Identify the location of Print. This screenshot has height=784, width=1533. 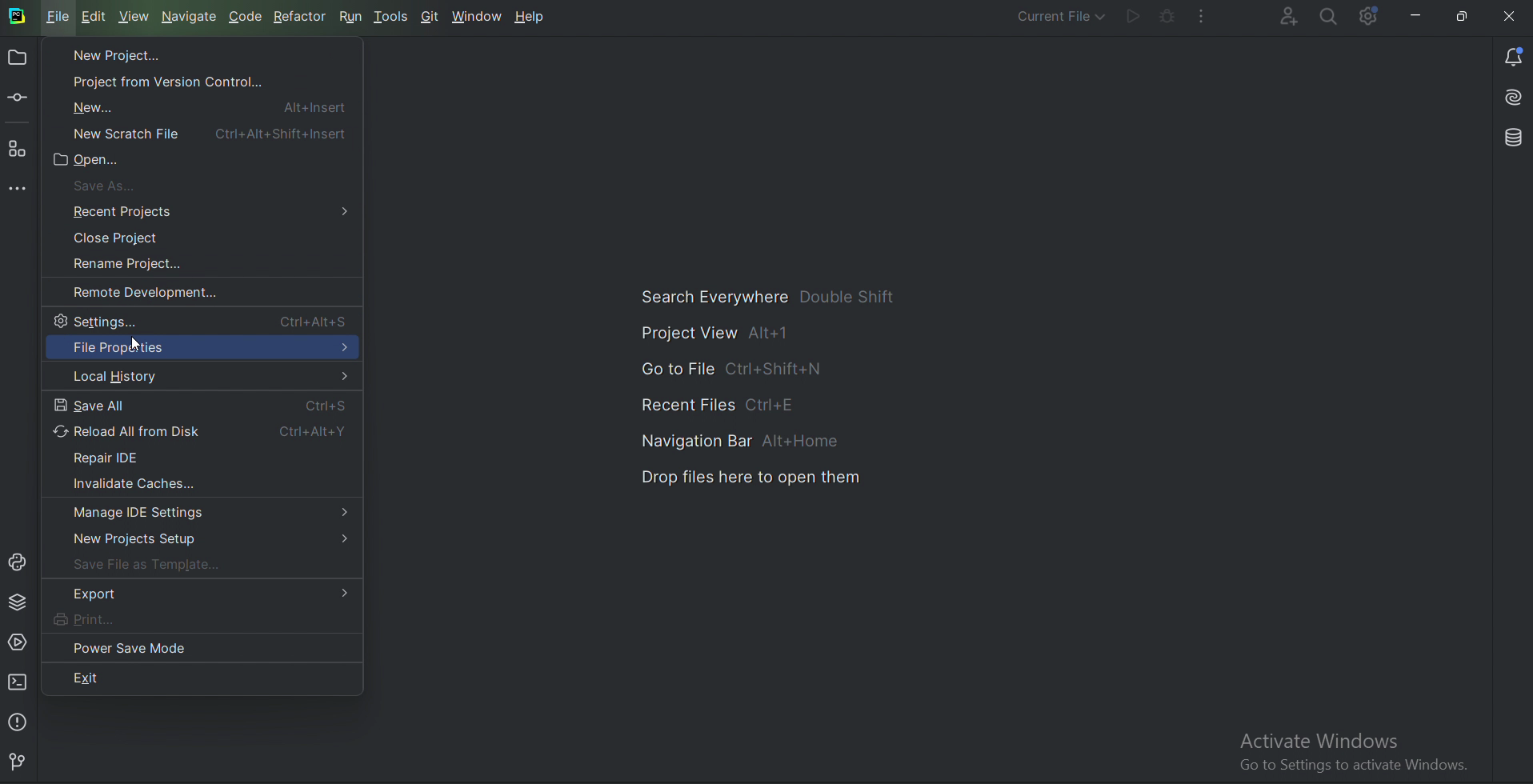
(109, 619).